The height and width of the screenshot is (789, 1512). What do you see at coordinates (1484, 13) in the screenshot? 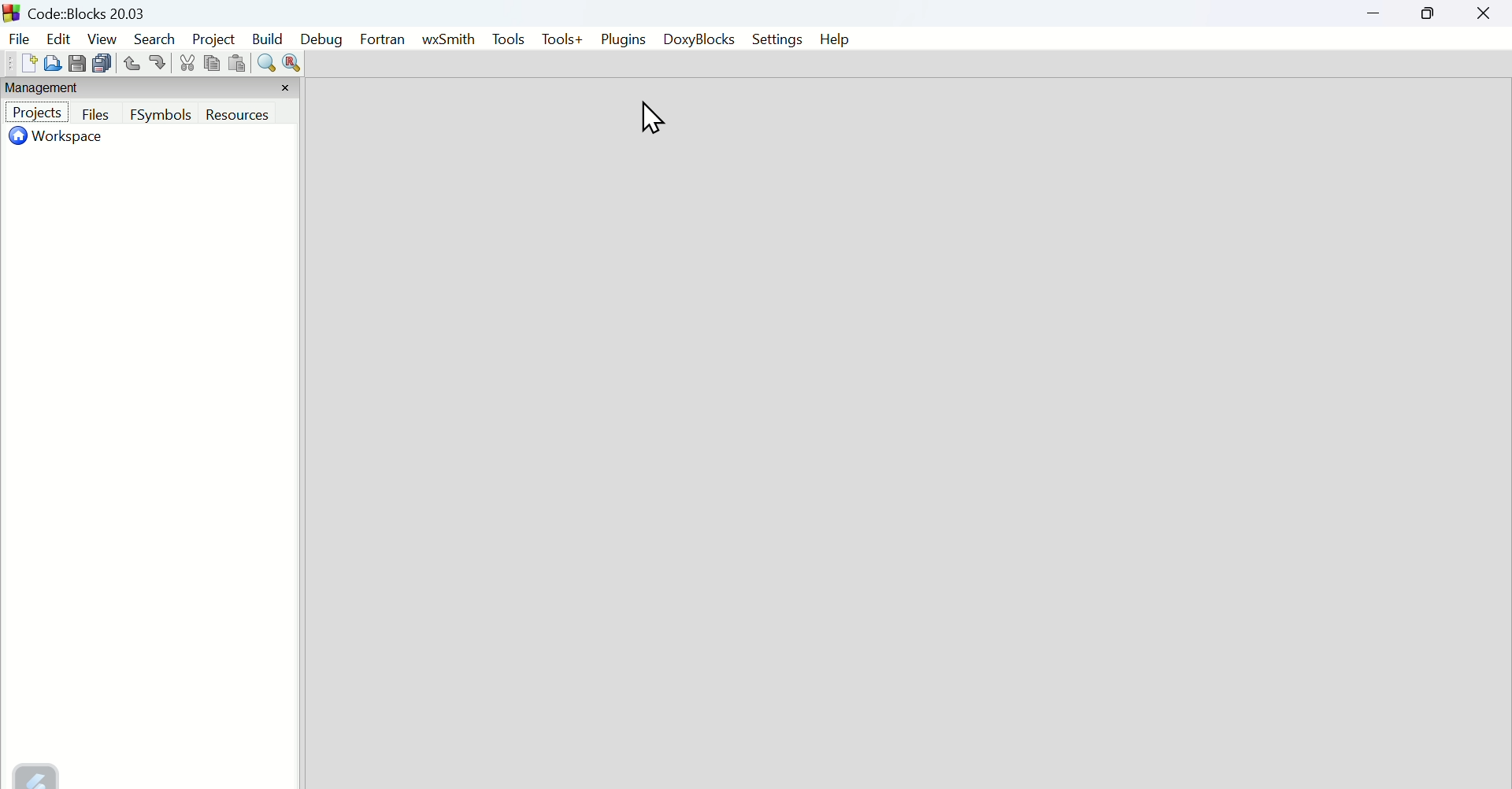
I see `Close` at bounding box center [1484, 13].